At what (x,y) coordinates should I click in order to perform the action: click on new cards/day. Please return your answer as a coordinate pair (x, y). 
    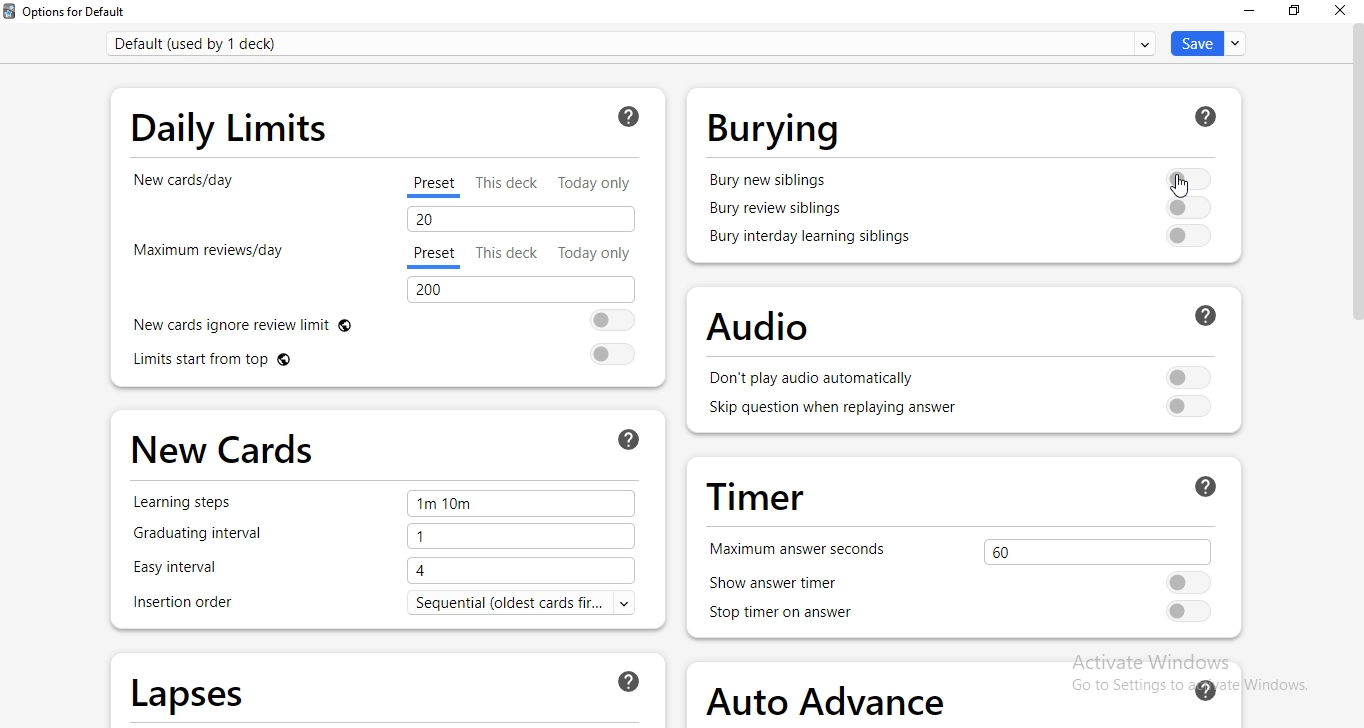
    Looking at the image, I should click on (186, 189).